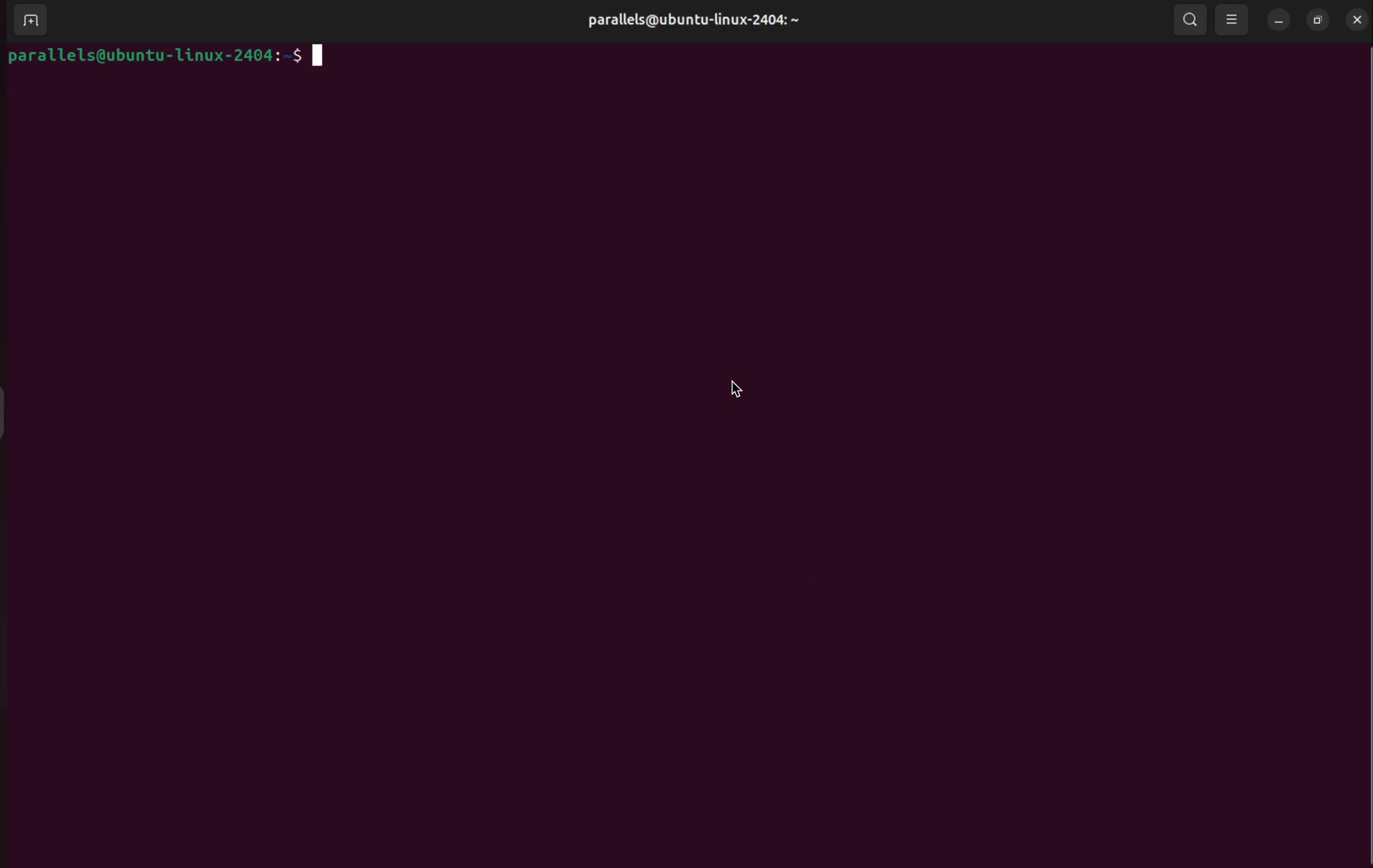  What do you see at coordinates (34, 17) in the screenshot?
I see `add terminal` at bounding box center [34, 17].